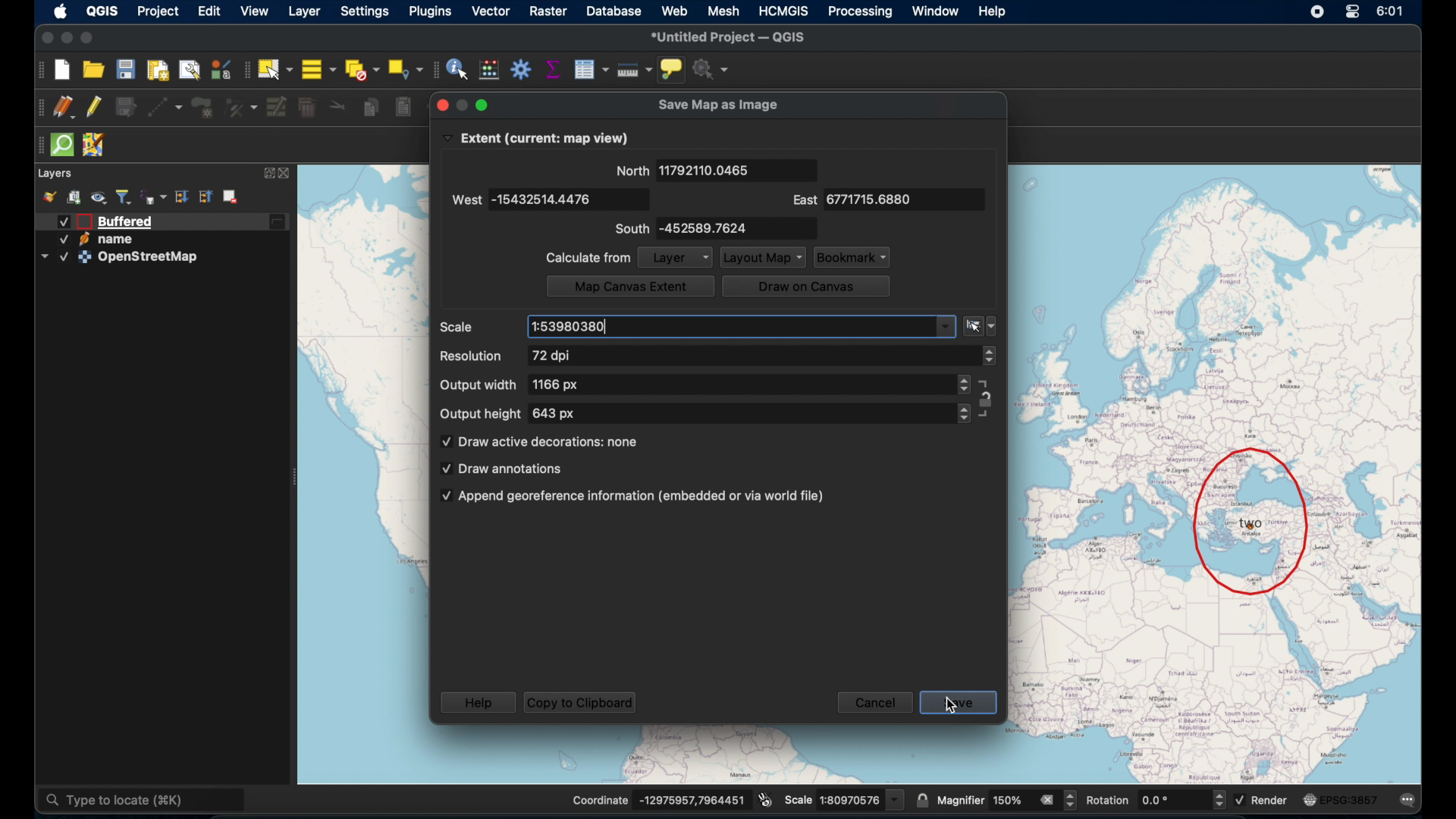 This screenshot has width=1456, height=819. Describe the element at coordinates (786, 11) in the screenshot. I see `HCMGIS` at that location.